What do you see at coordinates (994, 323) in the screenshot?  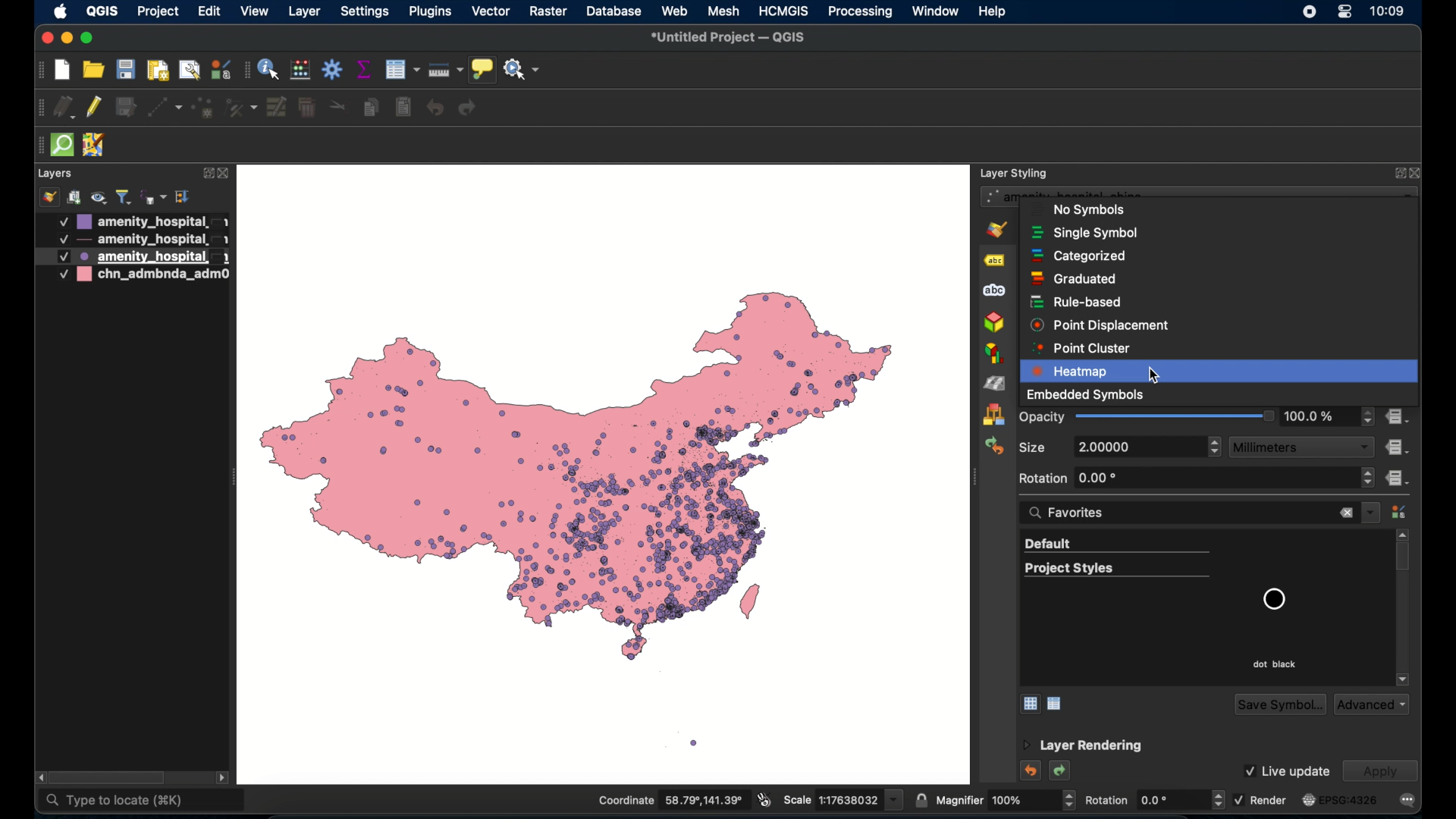 I see `3d view` at bounding box center [994, 323].